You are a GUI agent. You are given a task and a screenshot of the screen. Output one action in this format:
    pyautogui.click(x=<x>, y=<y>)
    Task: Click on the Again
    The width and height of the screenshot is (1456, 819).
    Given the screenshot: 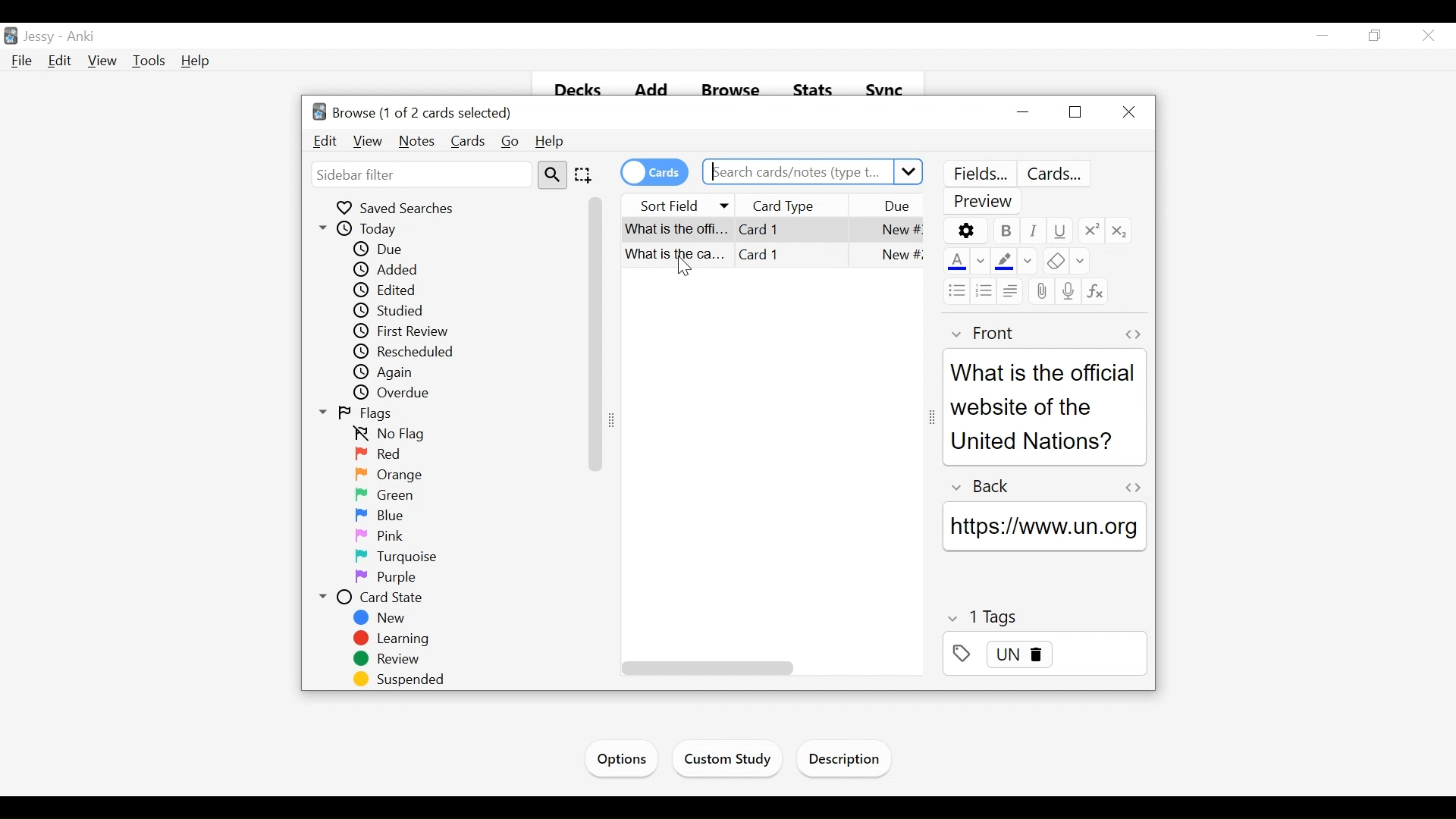 What is the action you would take?
    pyautogui.click(x=392, y=372)
    